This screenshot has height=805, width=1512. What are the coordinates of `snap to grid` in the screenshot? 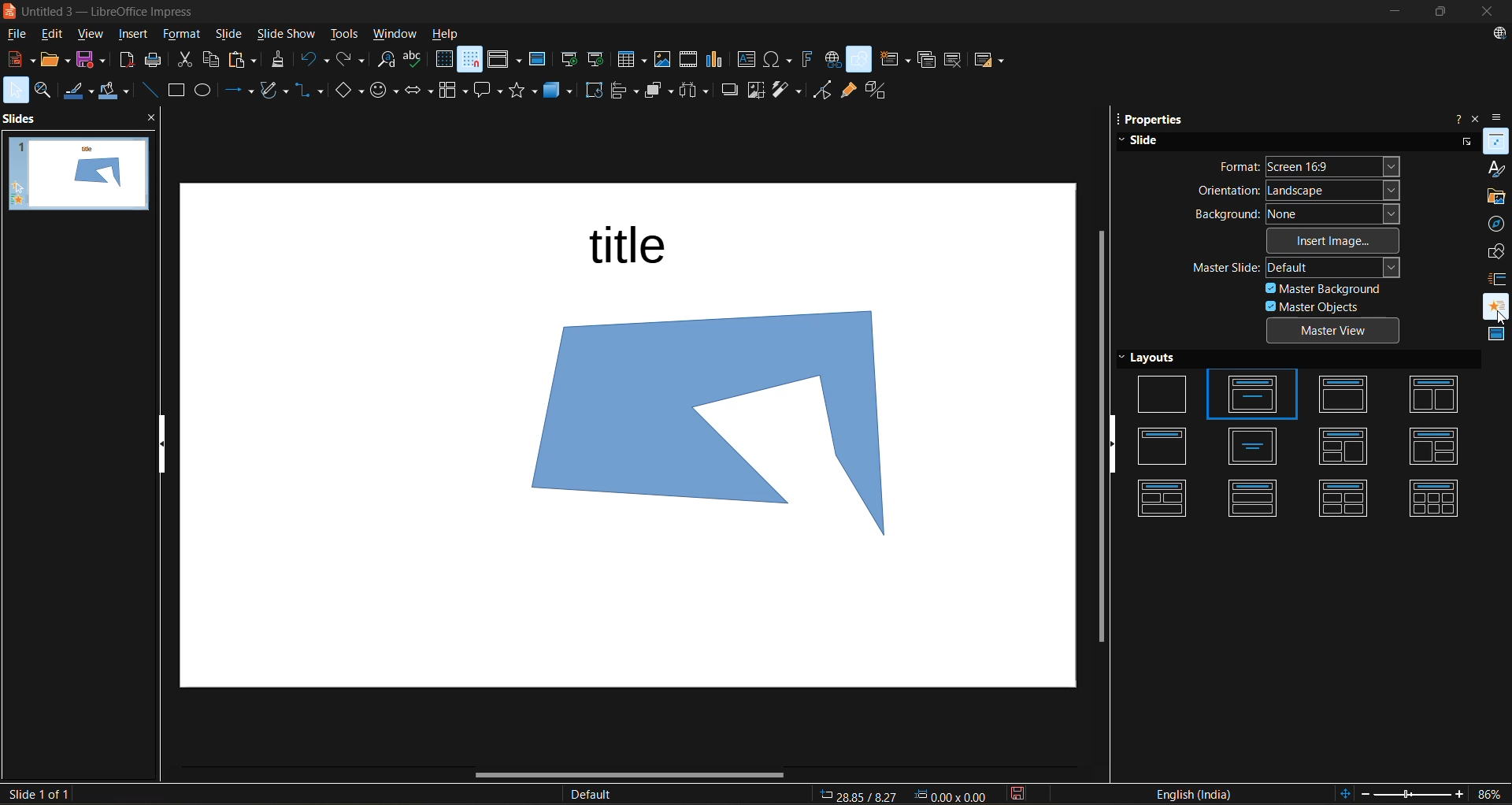 It's located at (469, 61).